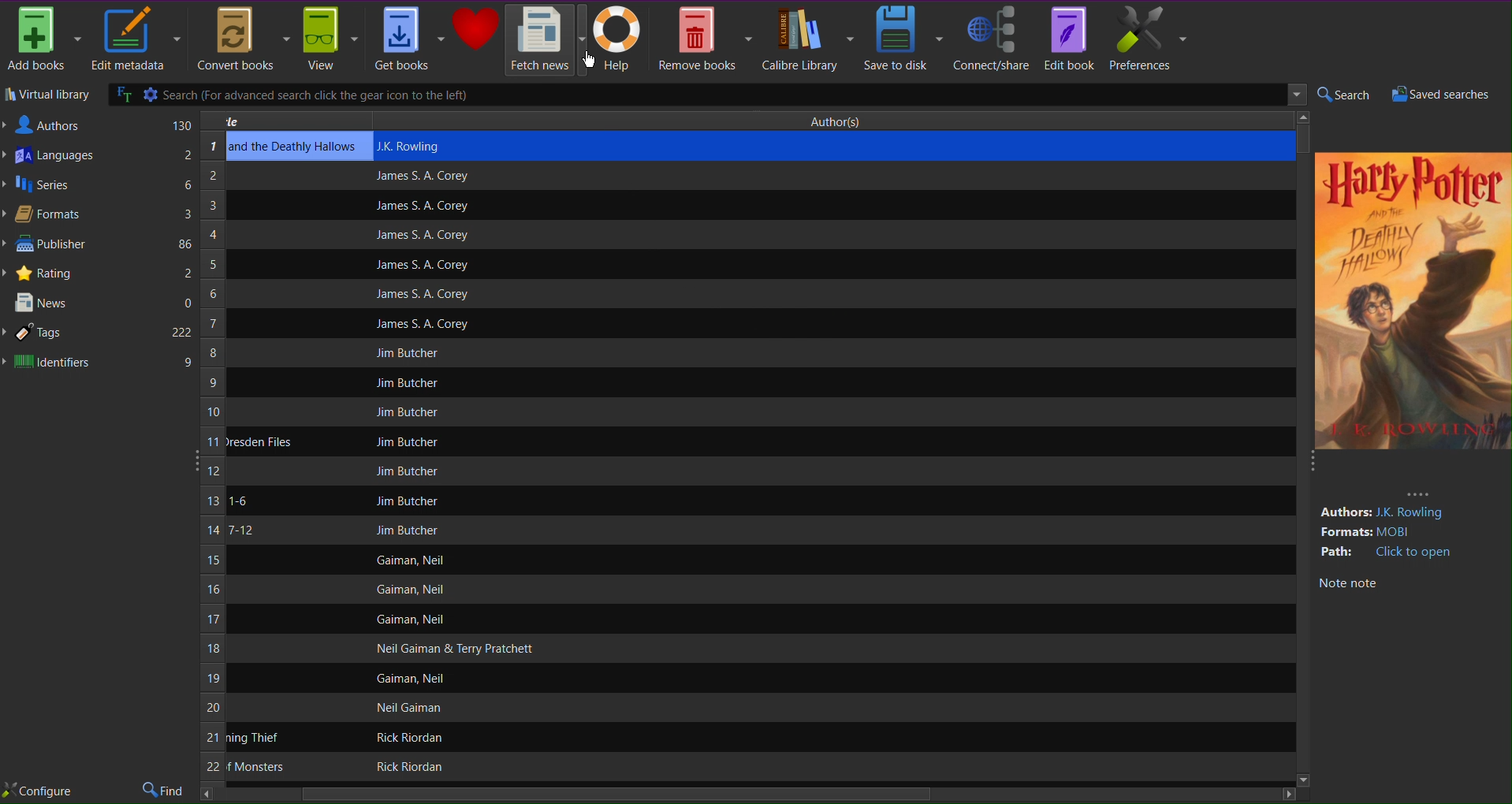 The image size is (1512, 804). Describe the element at coordinates (1345, 533) in the screenshot. I see `Formats :` at that location.